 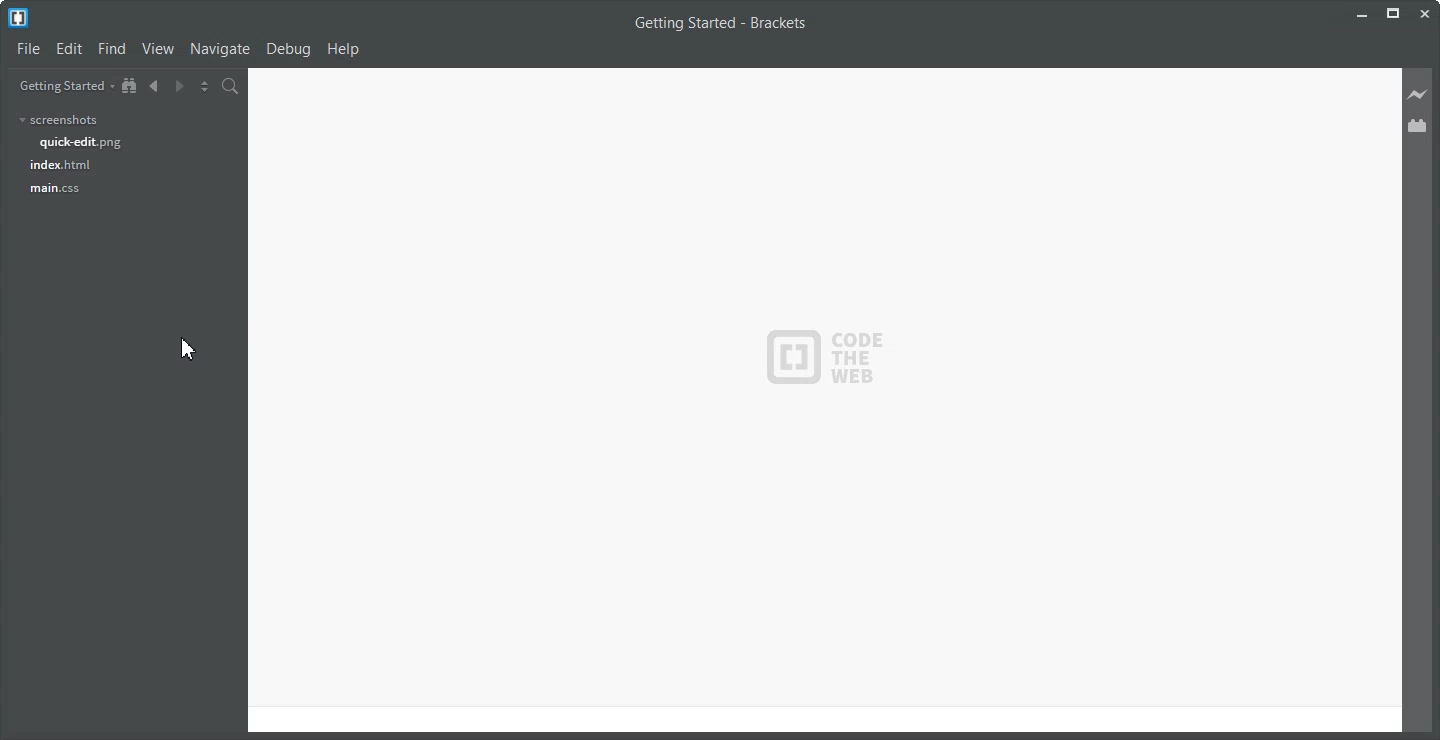 What do you see at coordinates (289, 50) in the screenshot?
I see `Debug` at bounding box center [289, 50].